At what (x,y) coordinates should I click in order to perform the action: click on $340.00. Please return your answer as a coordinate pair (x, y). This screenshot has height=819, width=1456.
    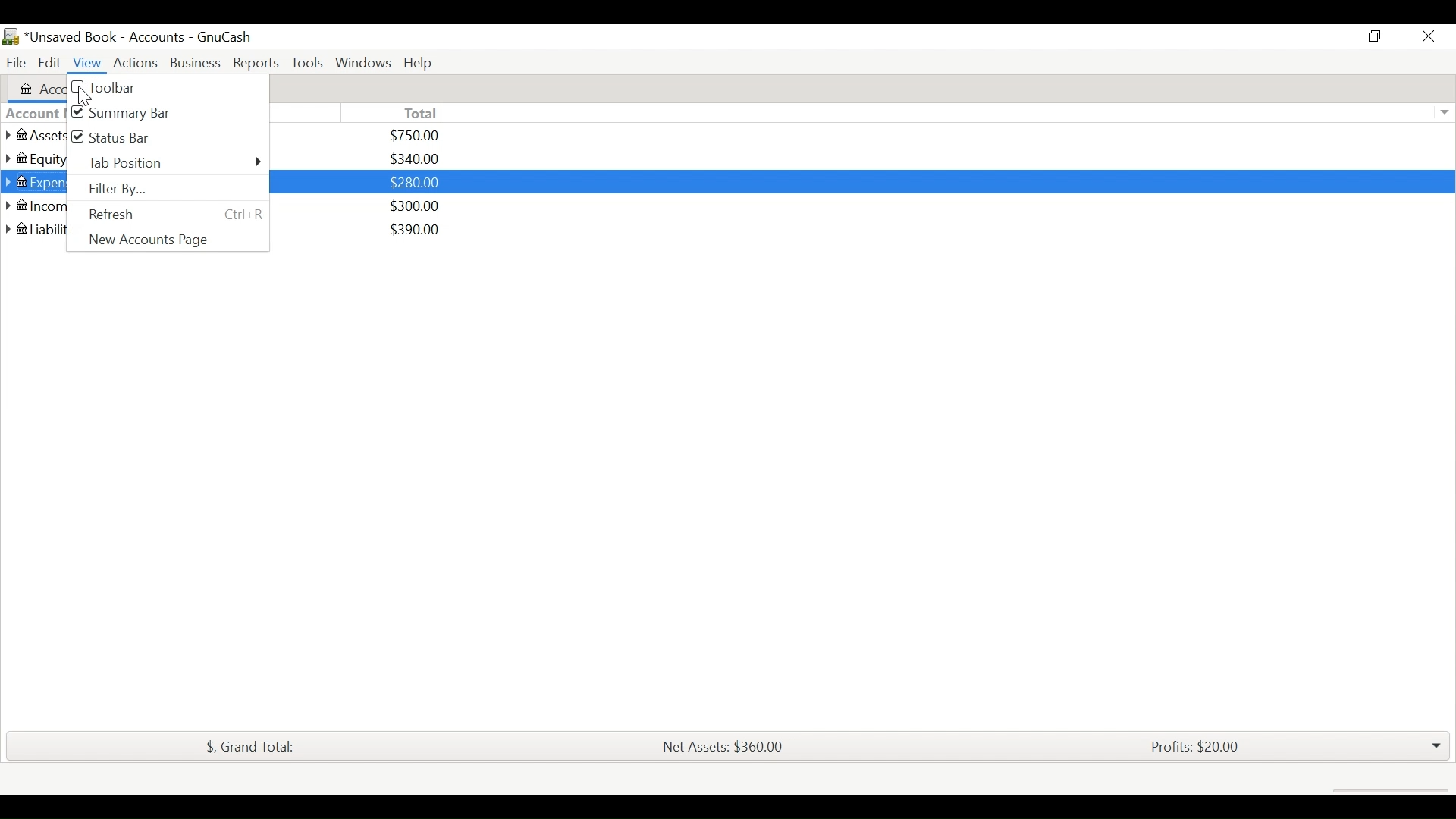
    Looking at the image, I should click on (416, 158).